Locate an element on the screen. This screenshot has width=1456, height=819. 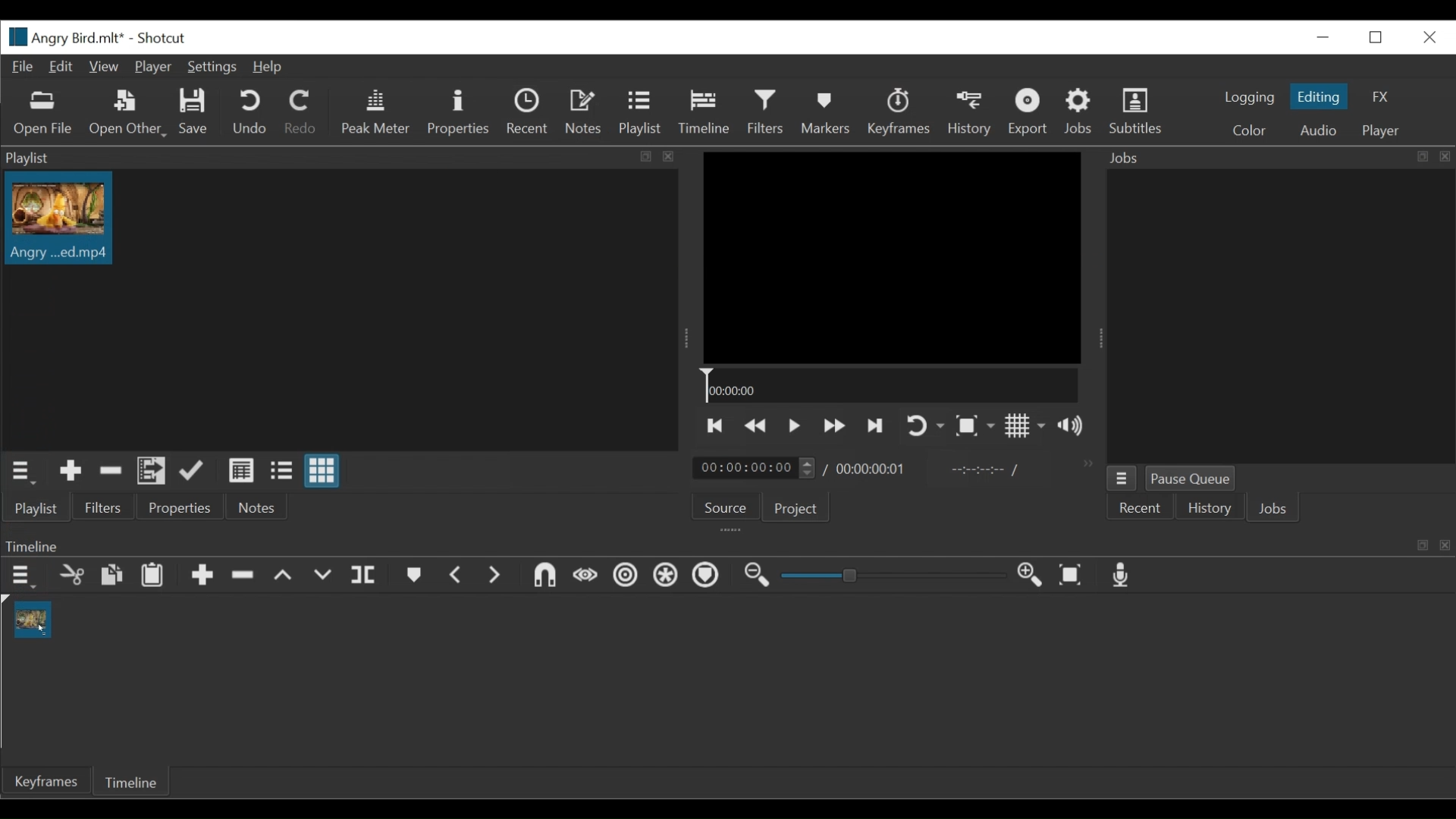
timing is located at coordinates (757, 469).